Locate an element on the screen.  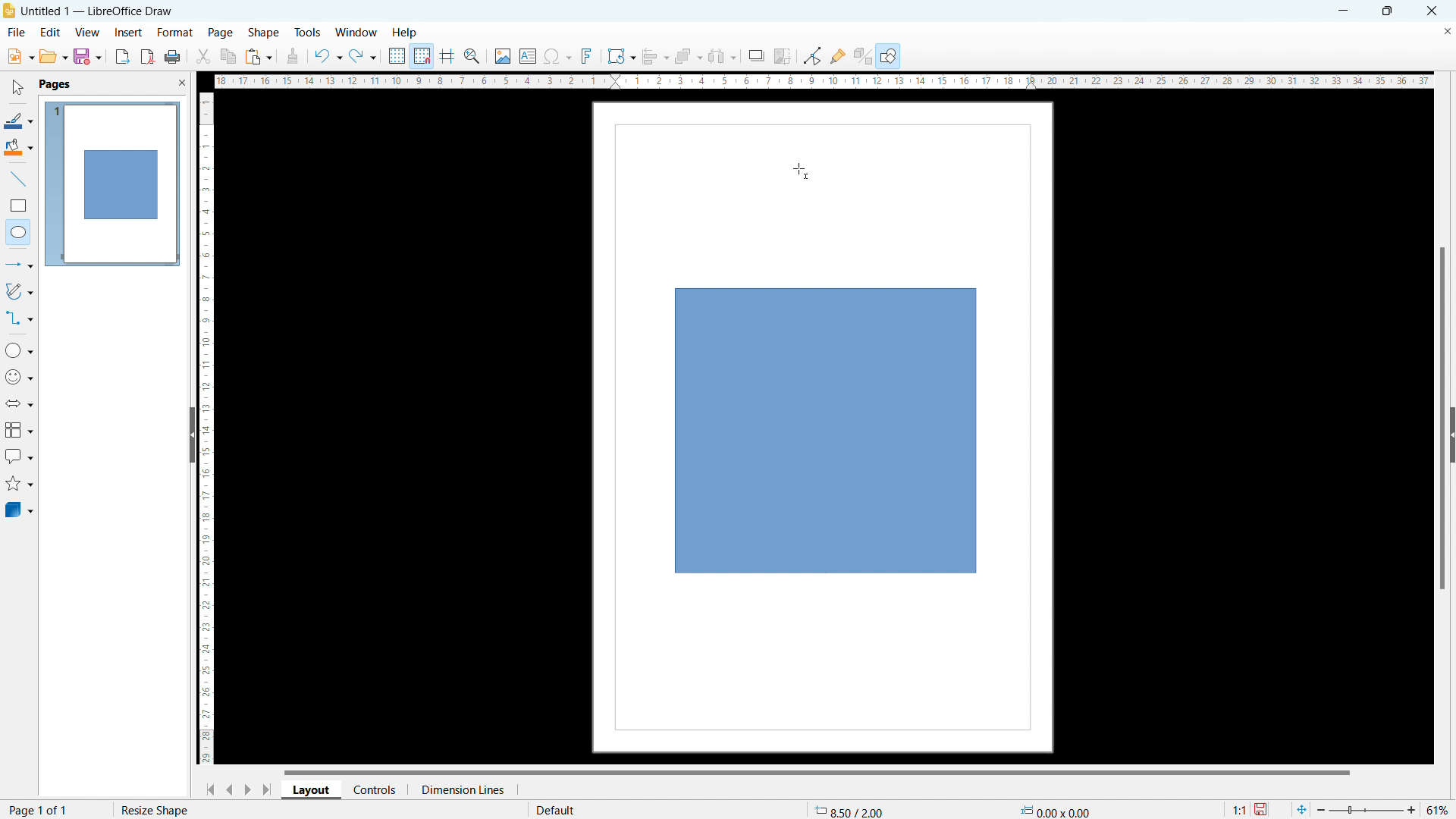
current zoom level is located at coordinates (1439, 810).